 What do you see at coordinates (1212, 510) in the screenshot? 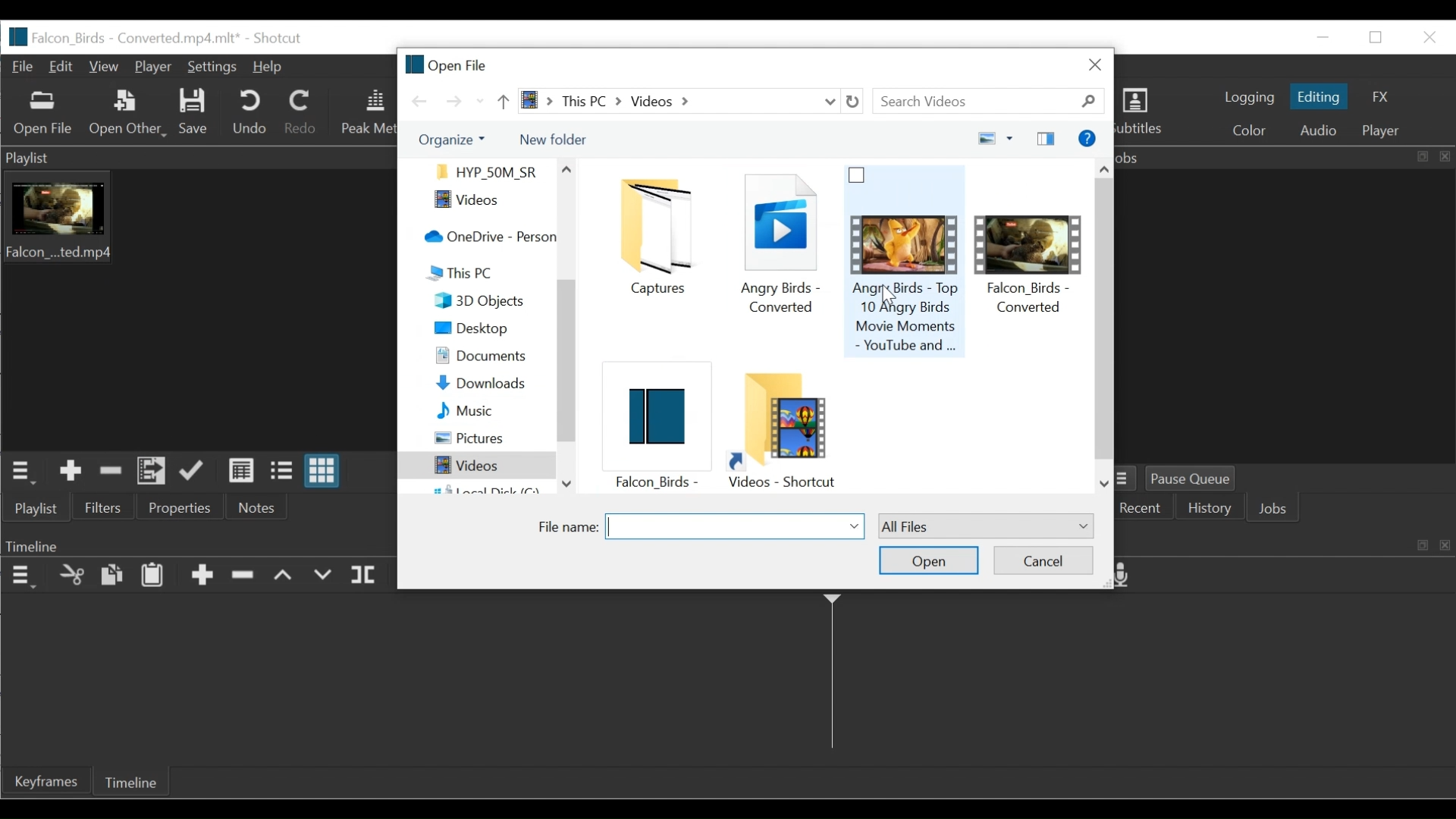
I see `History` at bounding box center [1212, 510].